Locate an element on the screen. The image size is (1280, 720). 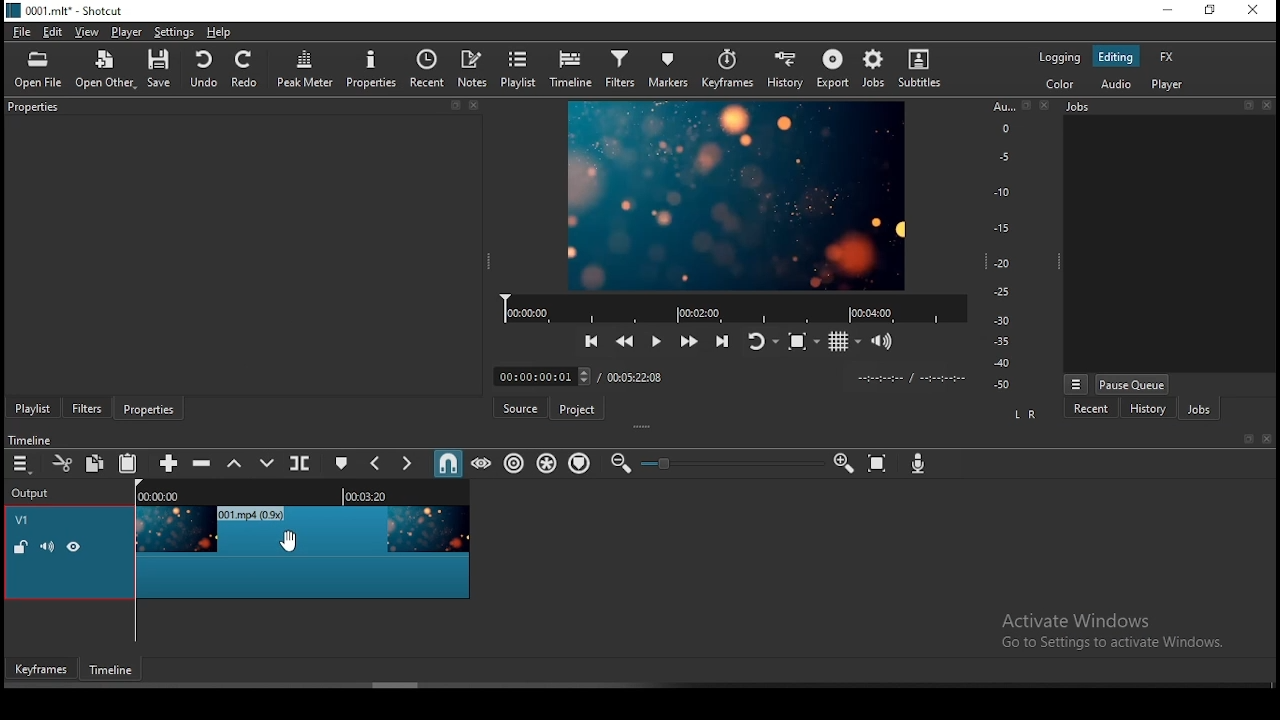
markers is located at coordinates (667, 68).